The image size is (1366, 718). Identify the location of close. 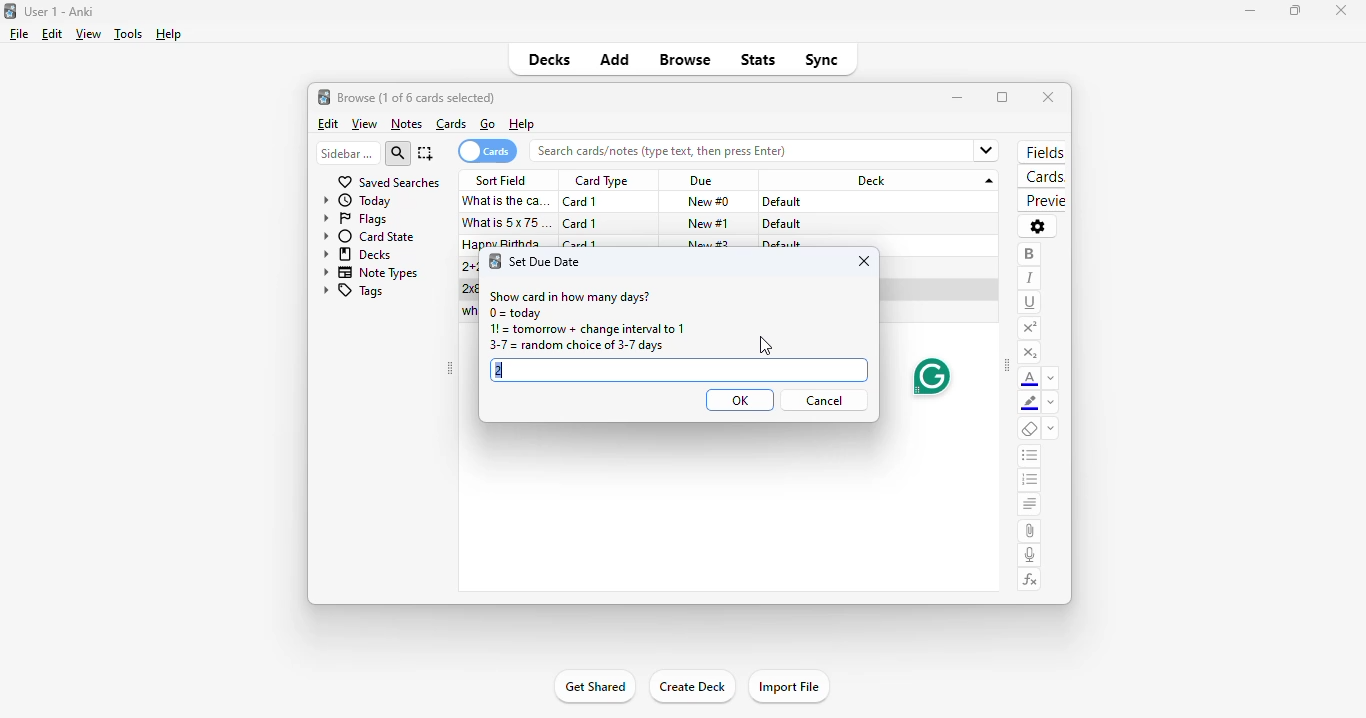
(864, 261).